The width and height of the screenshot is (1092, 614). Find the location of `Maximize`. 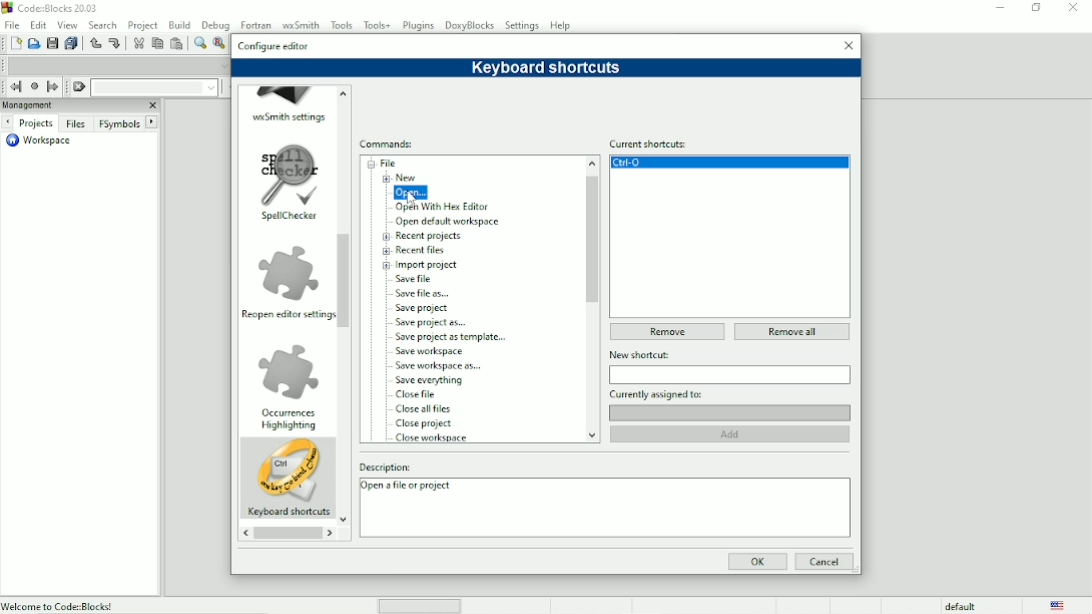

Maximize is located at coordinates (1035, 8).